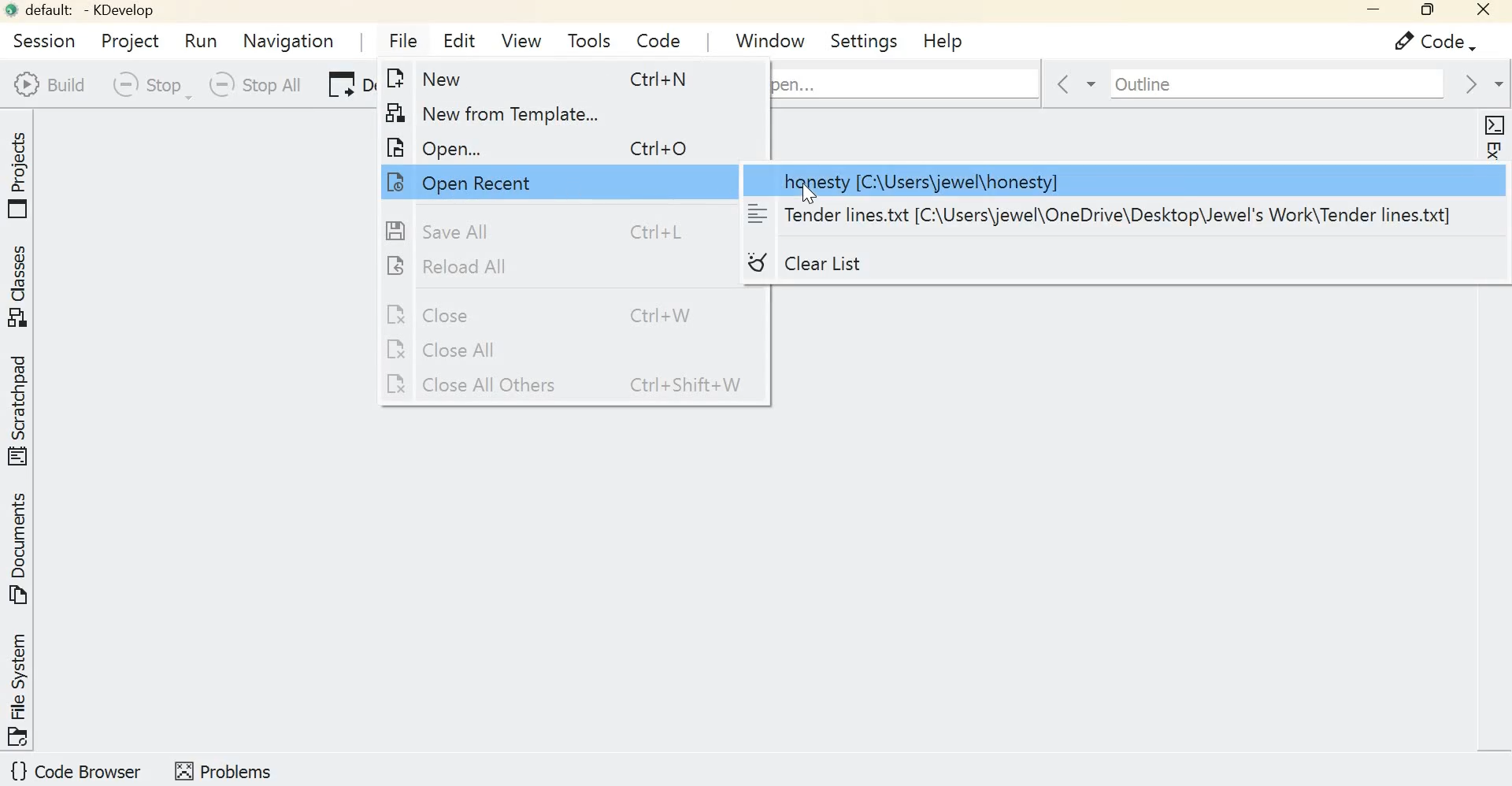 The width and height of the screenshot is (1512, 786). I want to click on Reload all, so click(545, 267).